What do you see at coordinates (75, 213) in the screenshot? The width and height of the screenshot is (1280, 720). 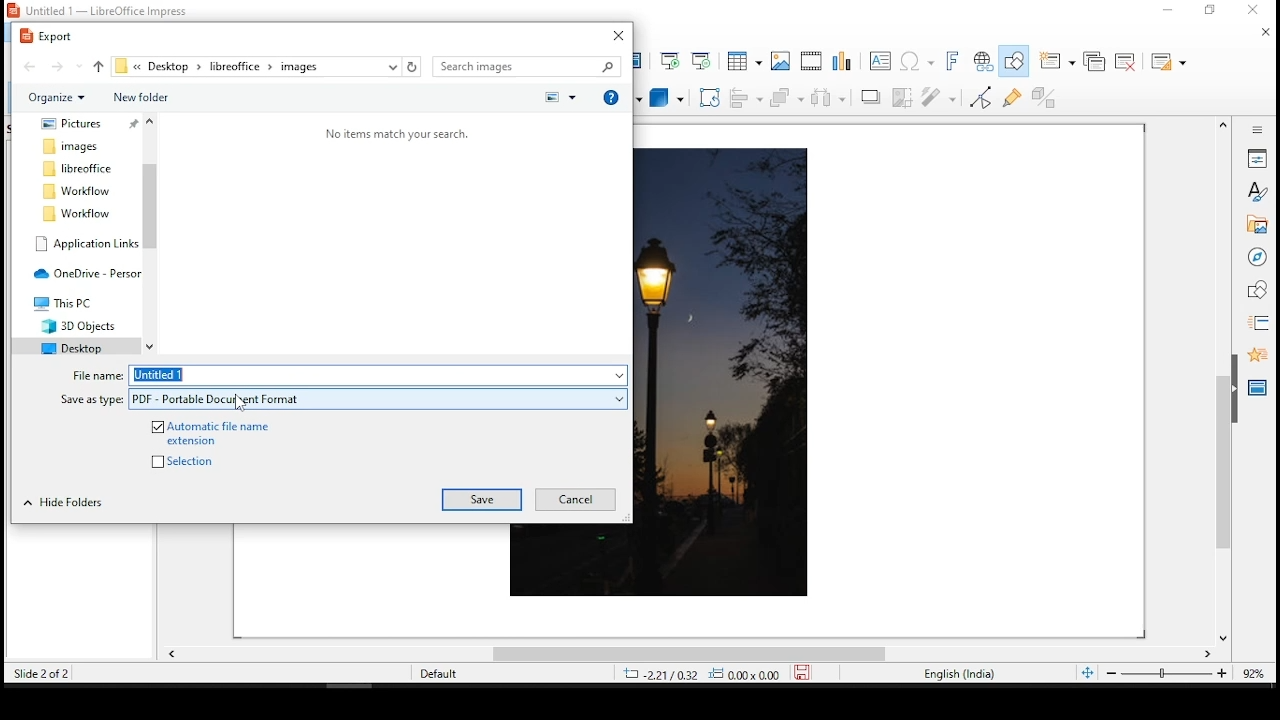 I see `folder` at bounding box center [75, 213].